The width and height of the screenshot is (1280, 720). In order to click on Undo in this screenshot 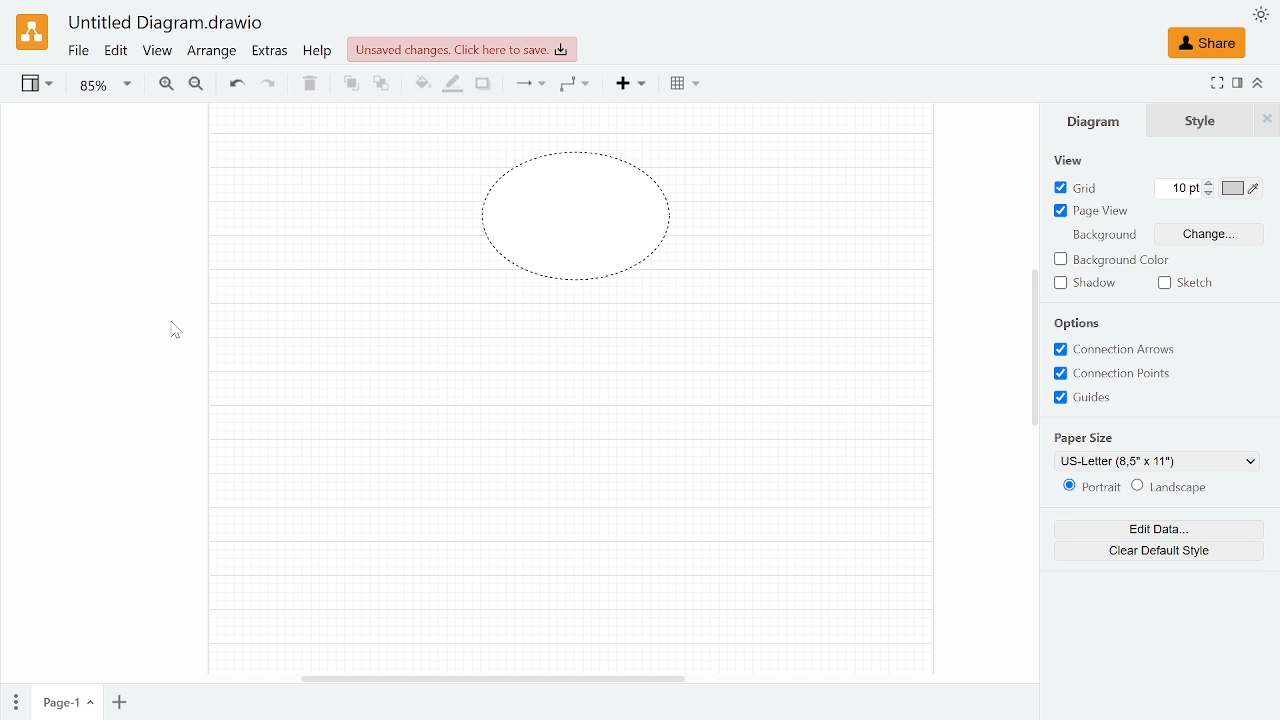, I will do `click(237, 85)`.